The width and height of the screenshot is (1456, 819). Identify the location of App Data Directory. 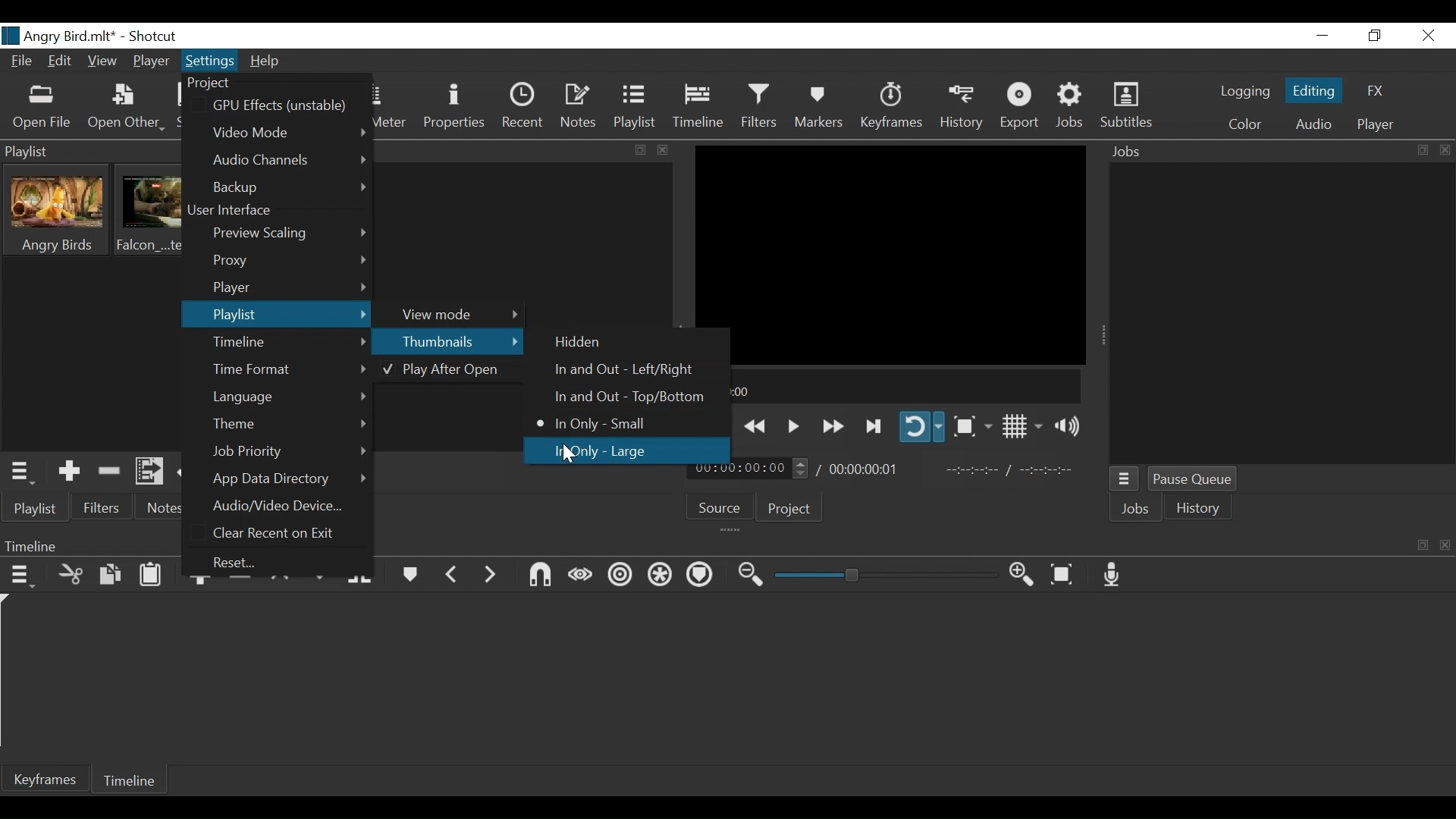
(288, 479).